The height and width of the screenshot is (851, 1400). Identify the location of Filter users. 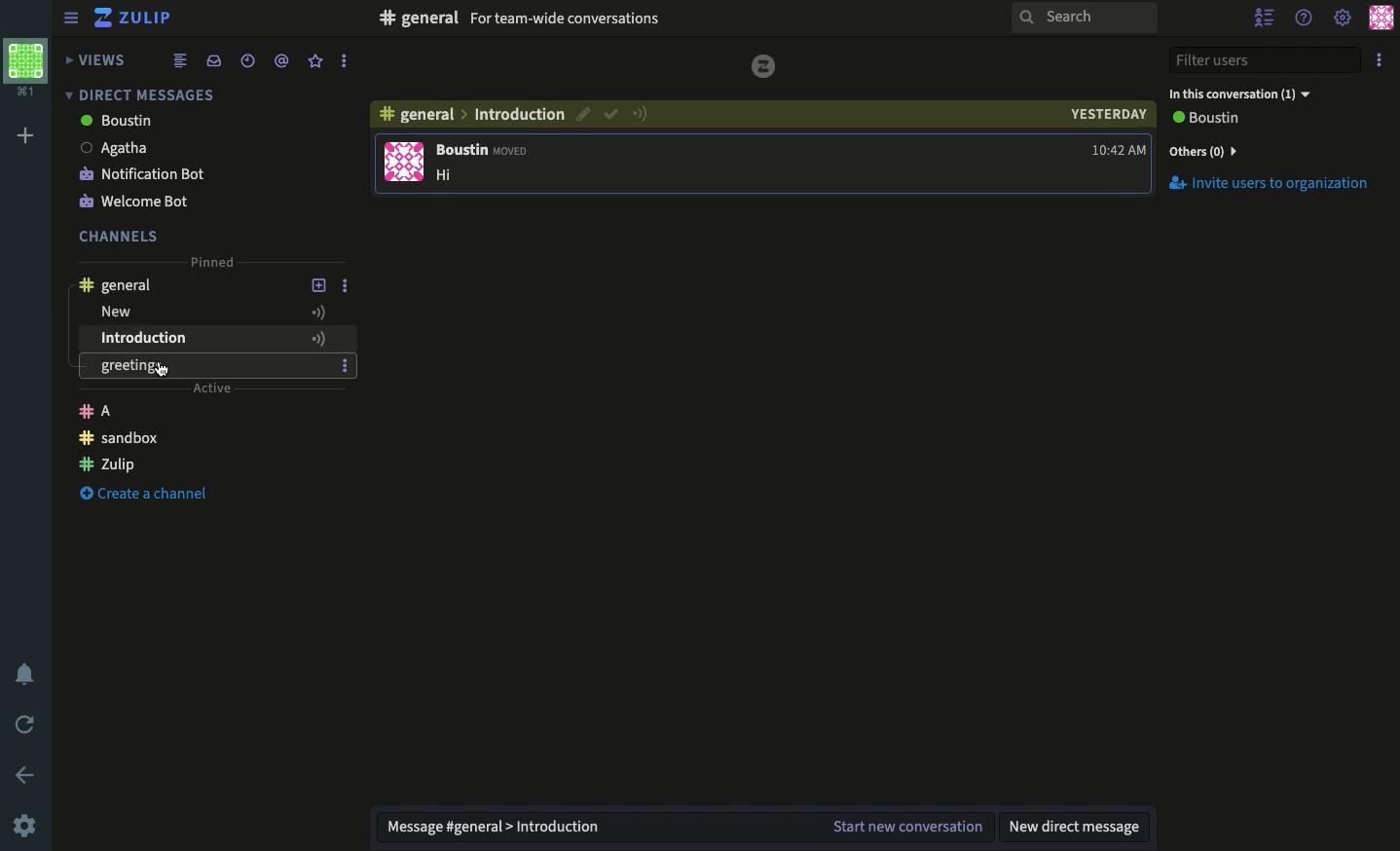
(1266, 61).